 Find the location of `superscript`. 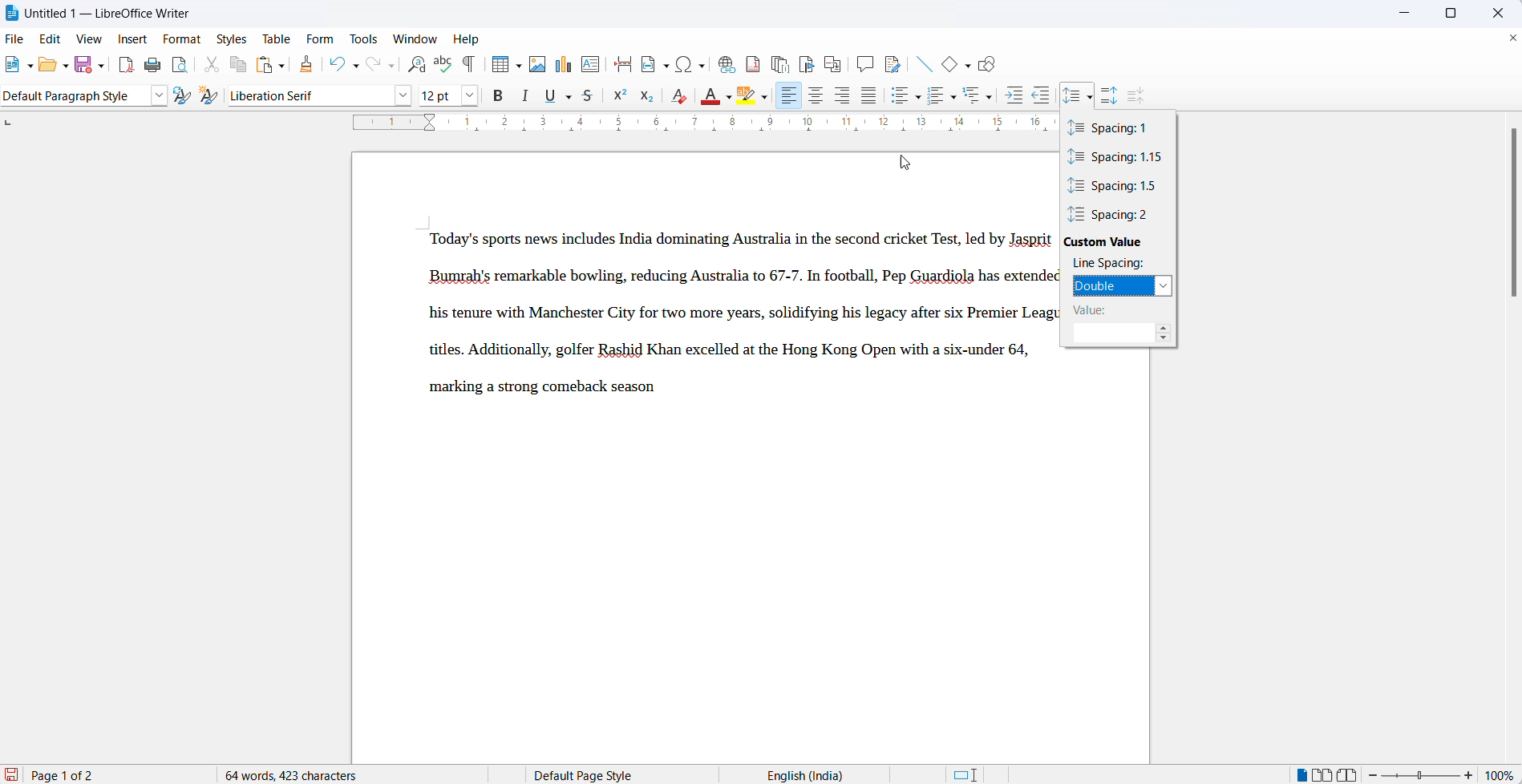

superscript is located at coordinates (620, 99).